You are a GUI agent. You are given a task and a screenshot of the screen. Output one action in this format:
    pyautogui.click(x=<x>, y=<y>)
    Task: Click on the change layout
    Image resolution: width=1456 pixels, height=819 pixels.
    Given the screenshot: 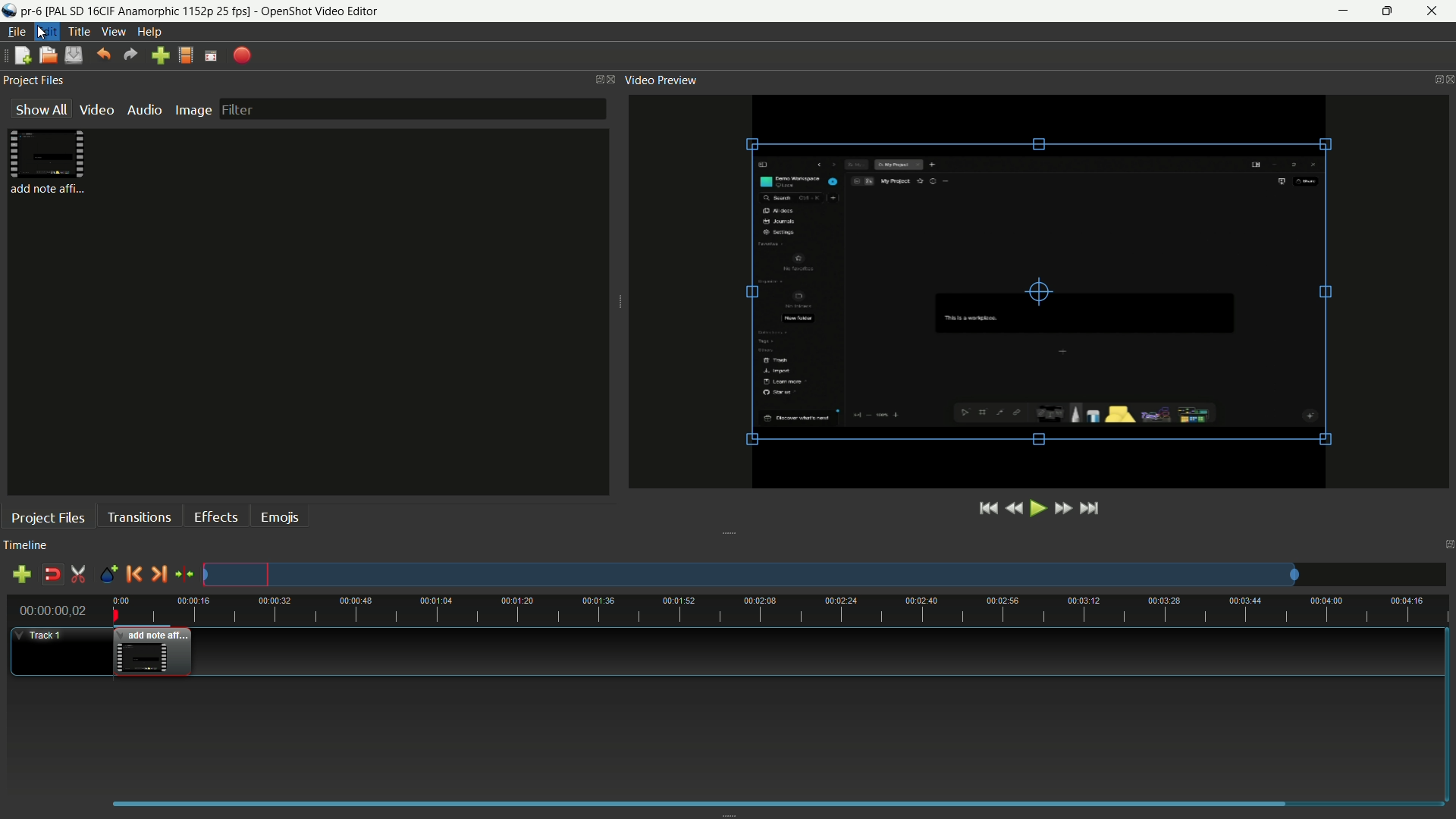 What is the action you would take?
    pyautogui.click(x=597, y=79)
    